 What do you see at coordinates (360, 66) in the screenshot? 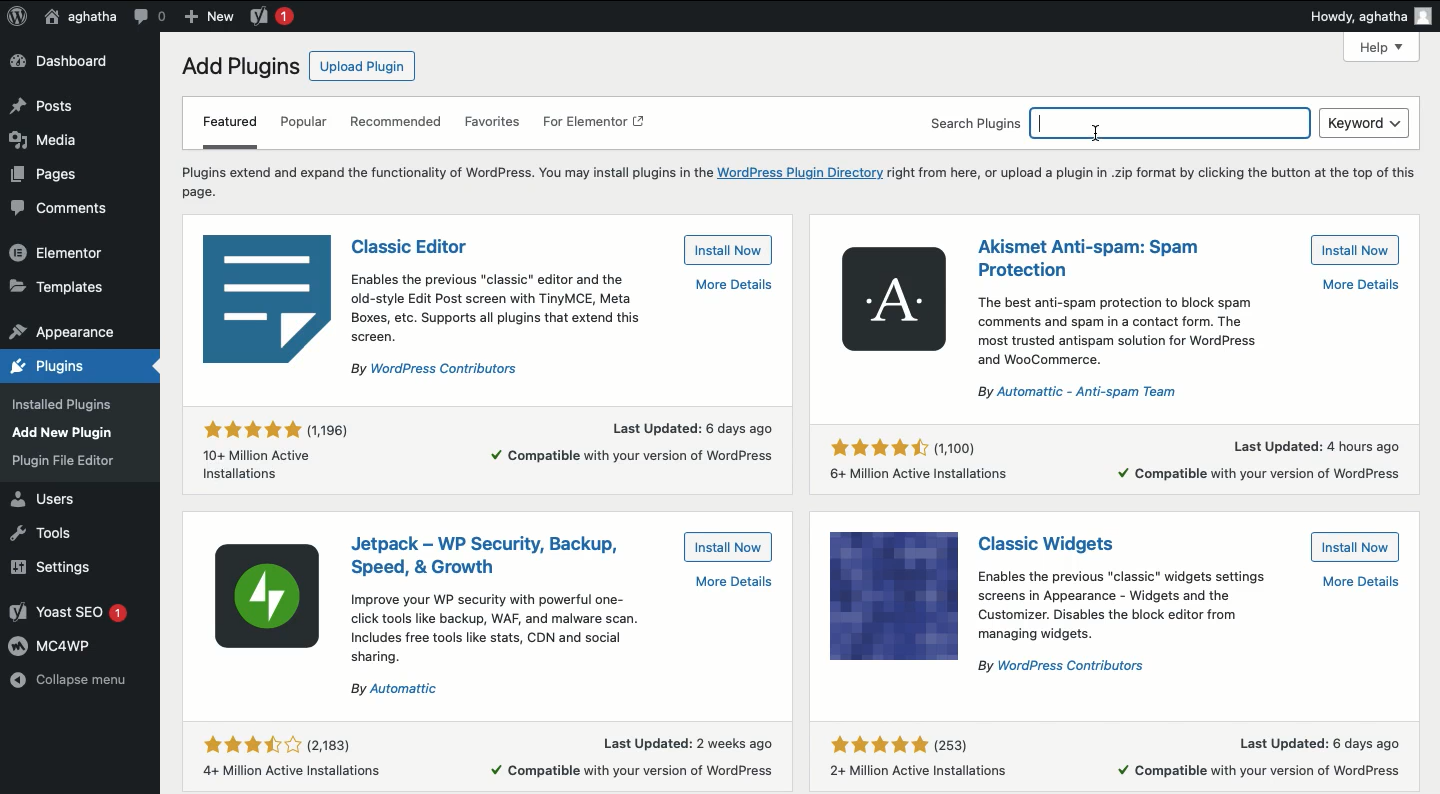
I see `Upload plugin` at bounding box center [360, 66].